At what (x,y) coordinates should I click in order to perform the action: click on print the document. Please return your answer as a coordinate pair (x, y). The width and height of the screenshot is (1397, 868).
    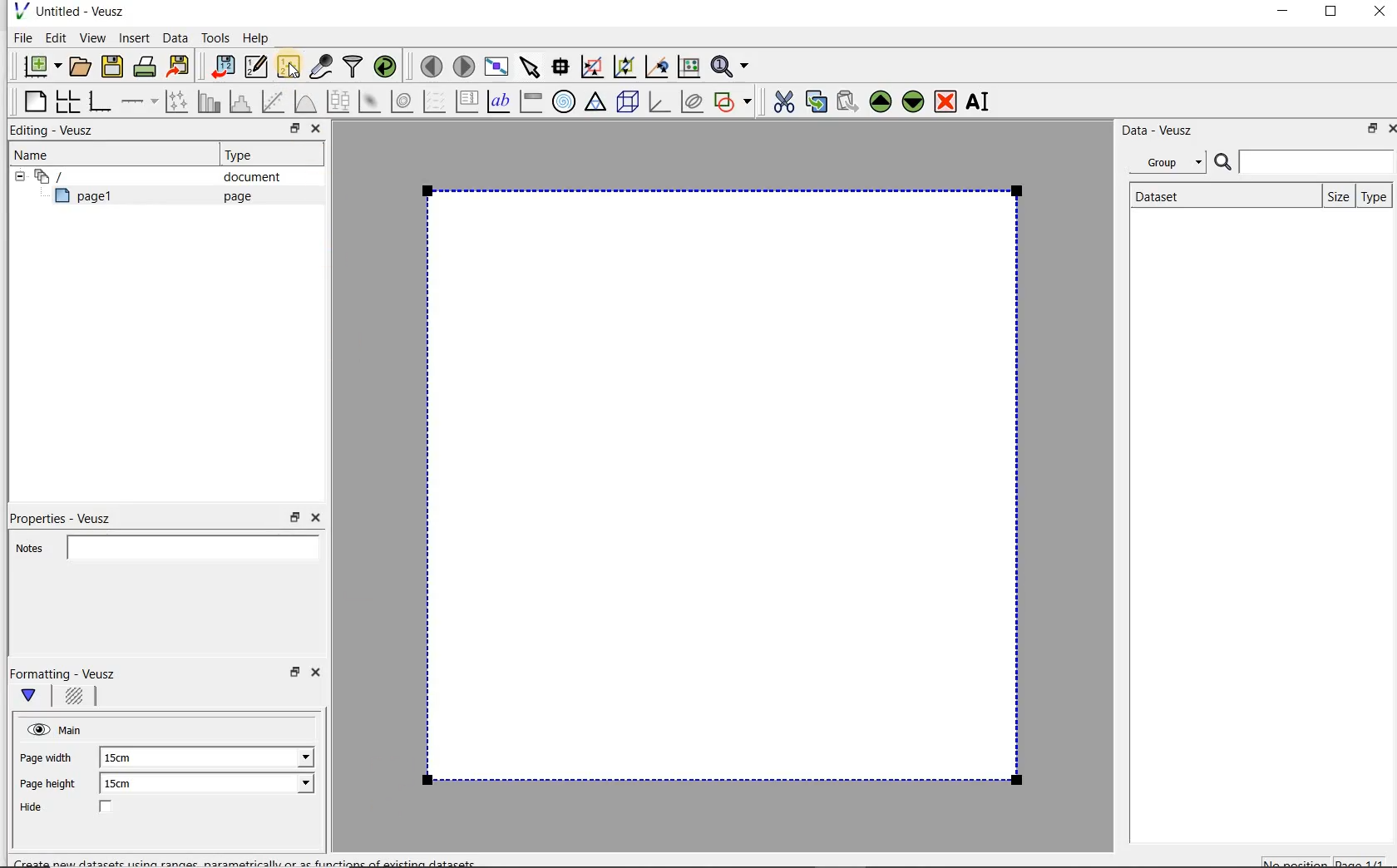
    Looking at the image, I should click on (148, 66).